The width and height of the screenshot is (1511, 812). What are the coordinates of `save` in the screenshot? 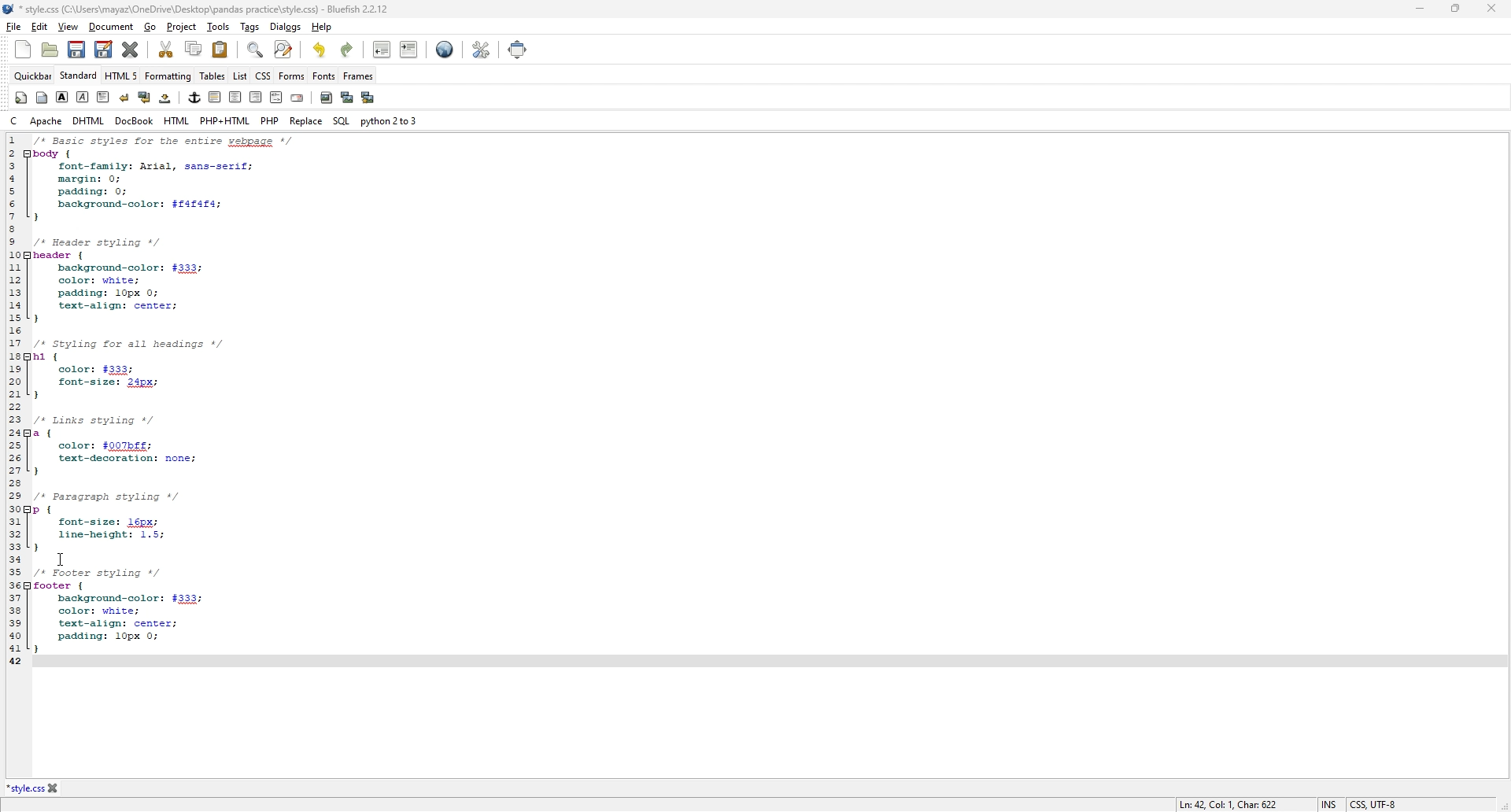 It's located at (76, 50).